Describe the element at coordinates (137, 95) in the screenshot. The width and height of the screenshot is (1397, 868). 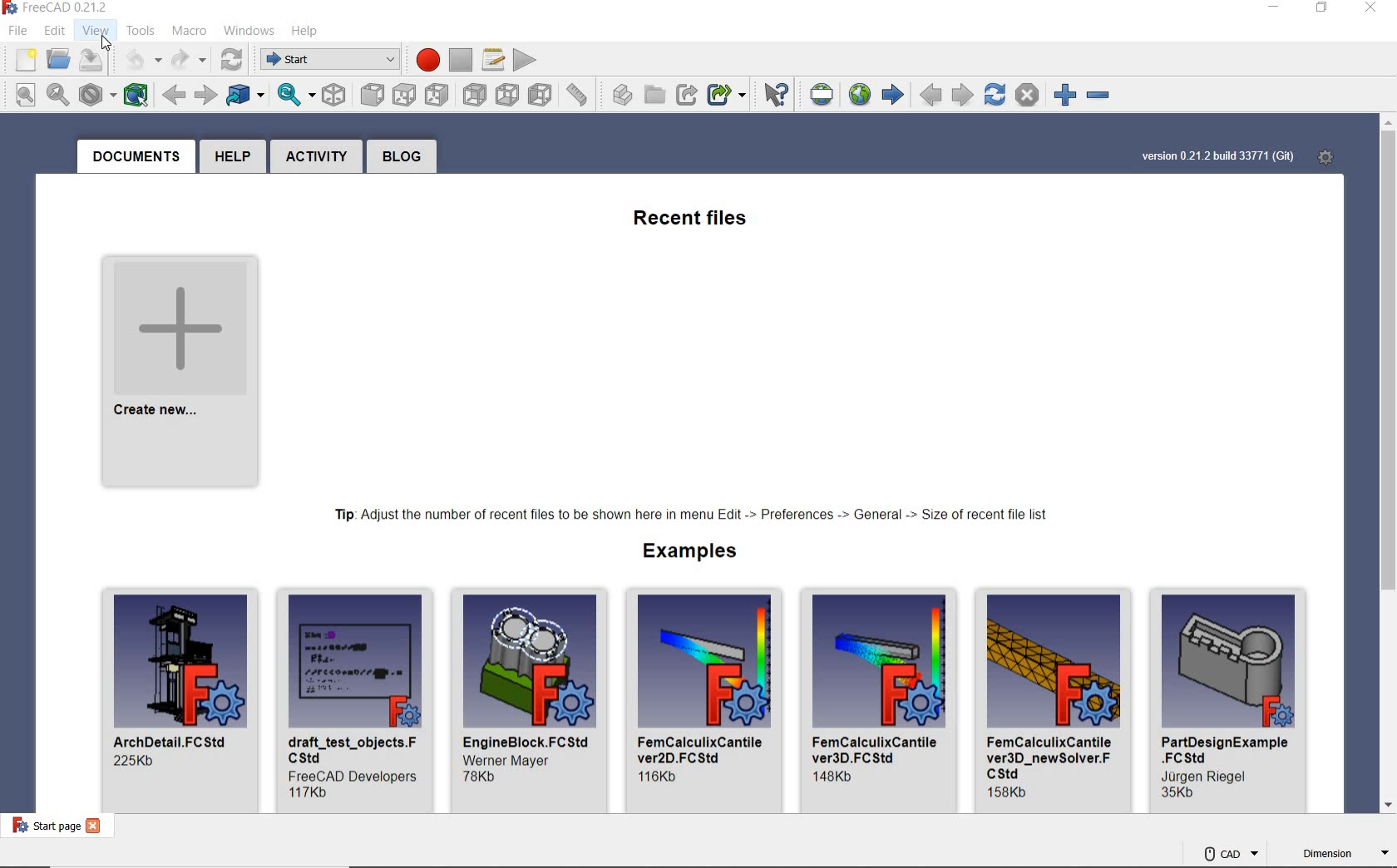
I see `bounding box` at that location.